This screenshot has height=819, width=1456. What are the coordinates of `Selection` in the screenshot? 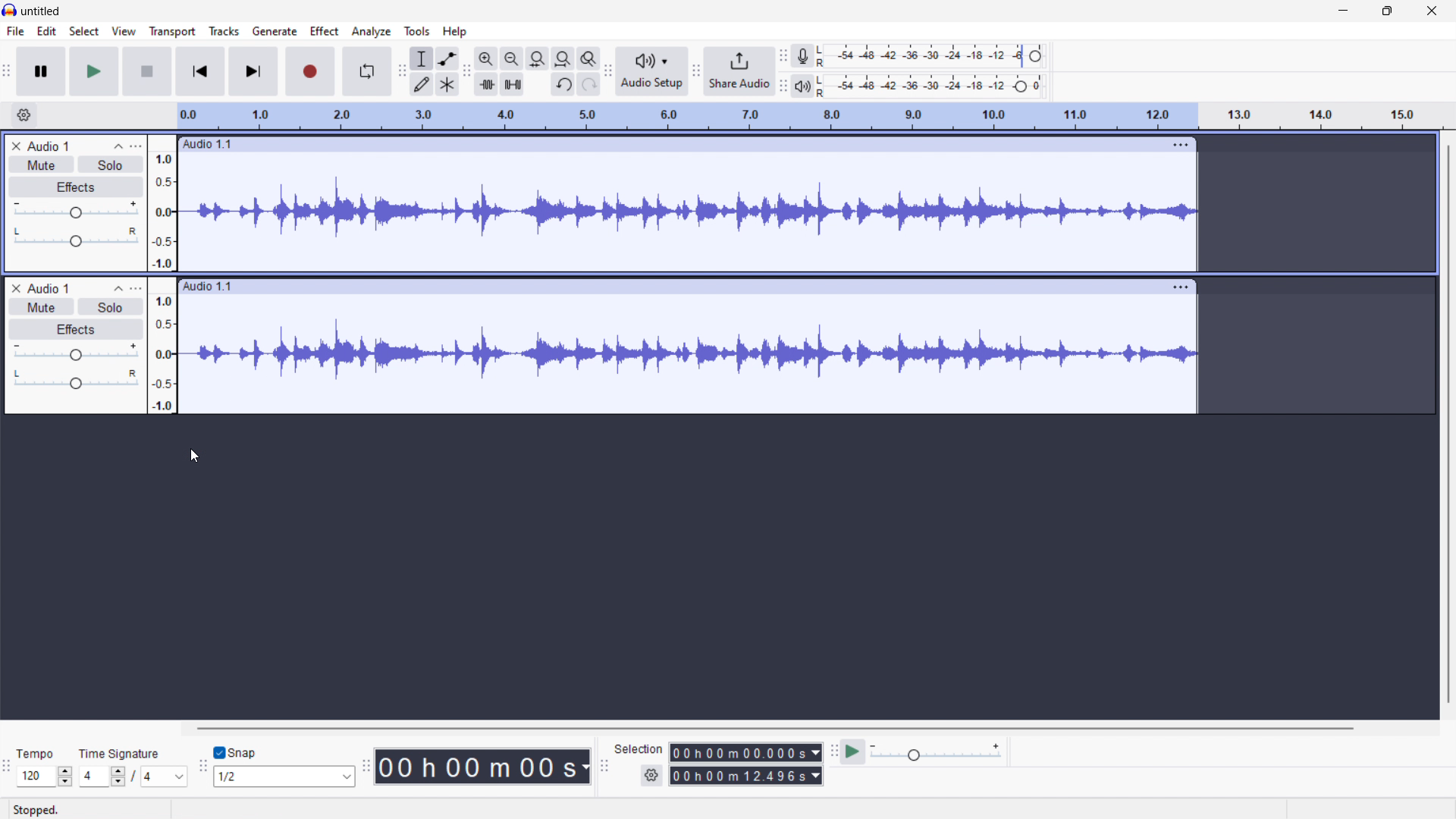 It's located at (639, 748).